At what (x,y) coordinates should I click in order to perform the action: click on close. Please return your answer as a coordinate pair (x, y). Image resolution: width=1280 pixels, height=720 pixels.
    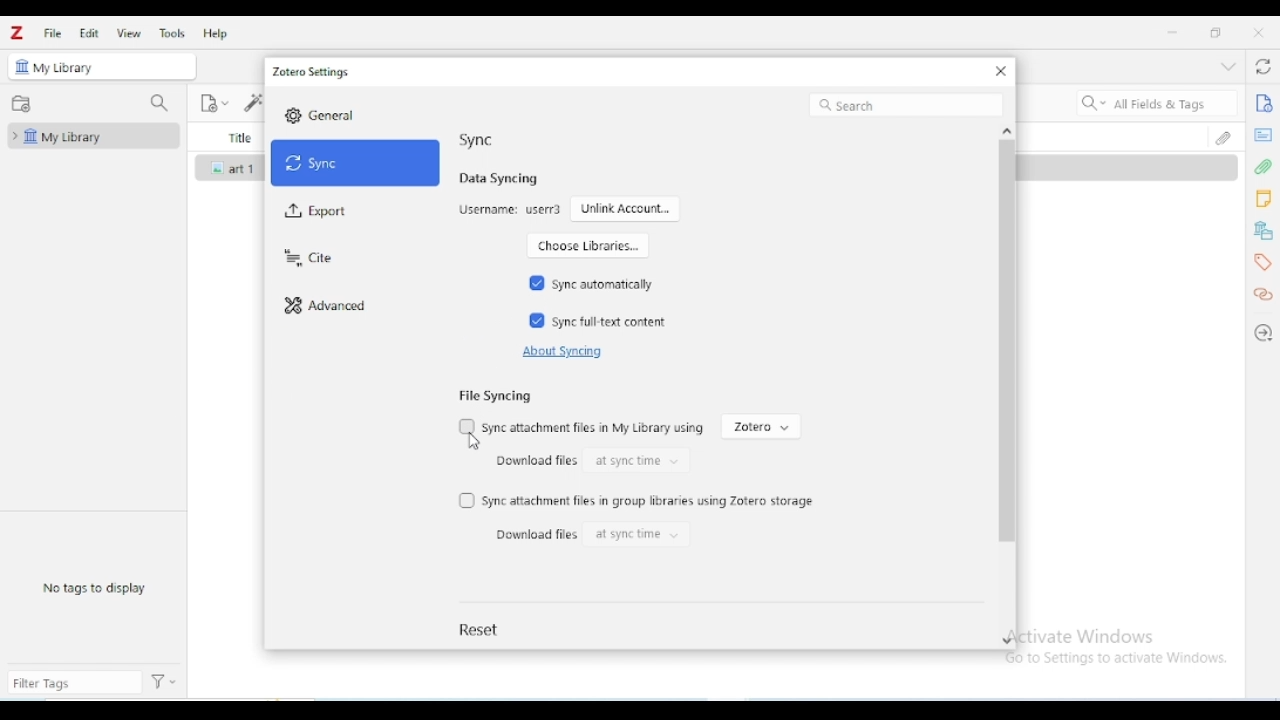
    Looking at the image, I should click on (1001, 71).